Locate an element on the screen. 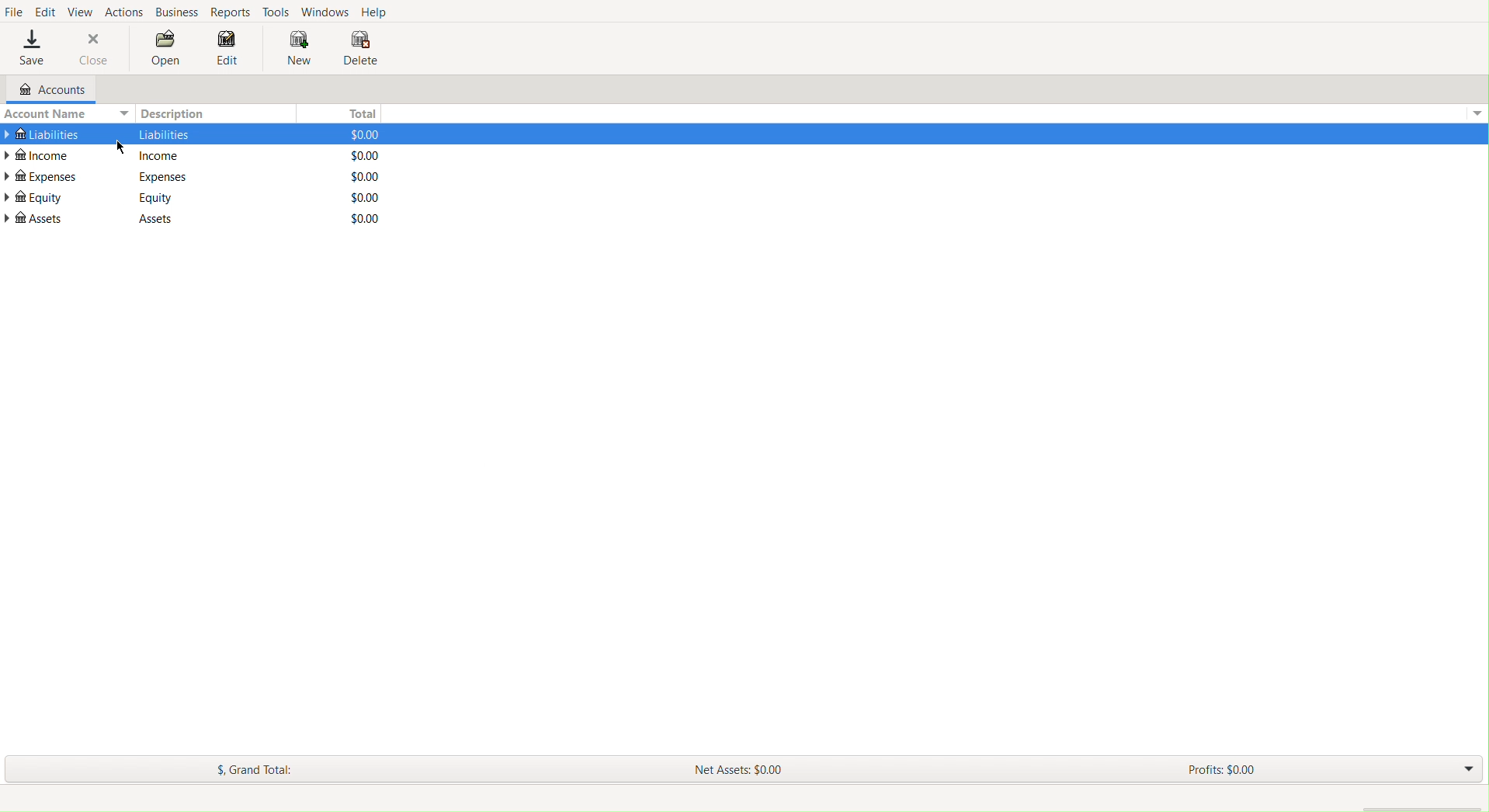 The image size is (1489, 812). Profits is located at coordinates (1221, 771).